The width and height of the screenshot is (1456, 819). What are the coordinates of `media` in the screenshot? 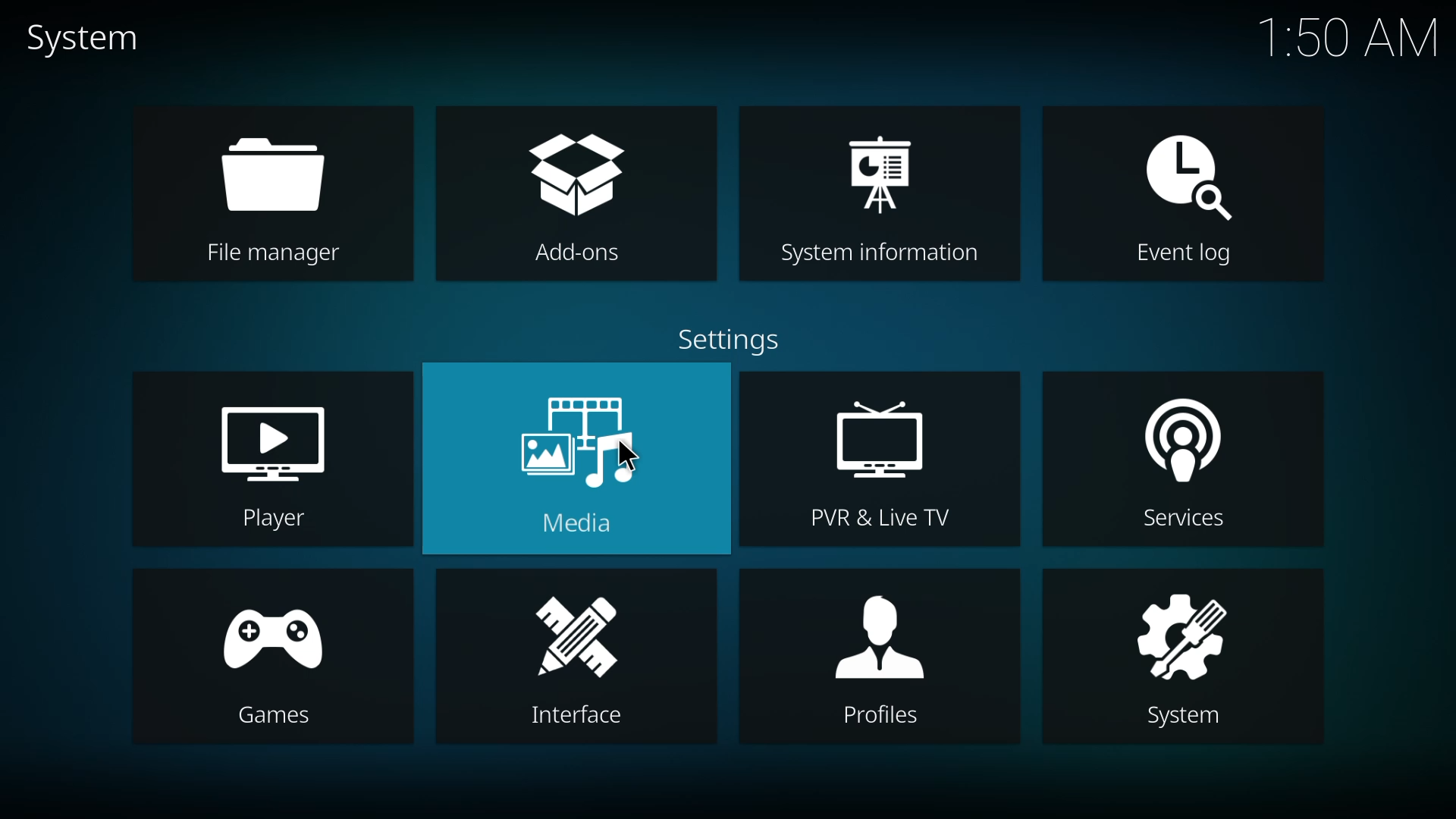 It's located at (572, 460).